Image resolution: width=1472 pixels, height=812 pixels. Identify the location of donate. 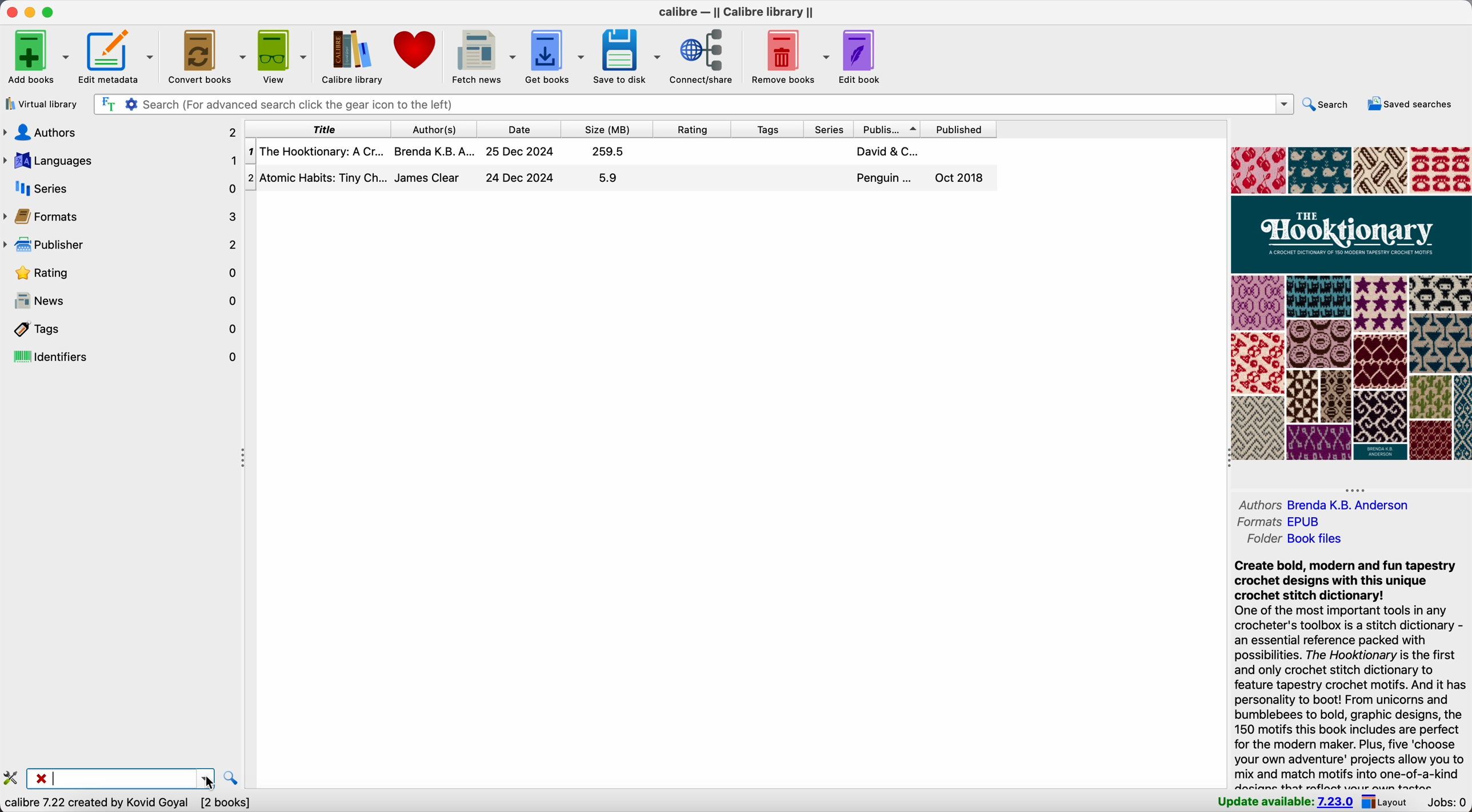
(417, 49).